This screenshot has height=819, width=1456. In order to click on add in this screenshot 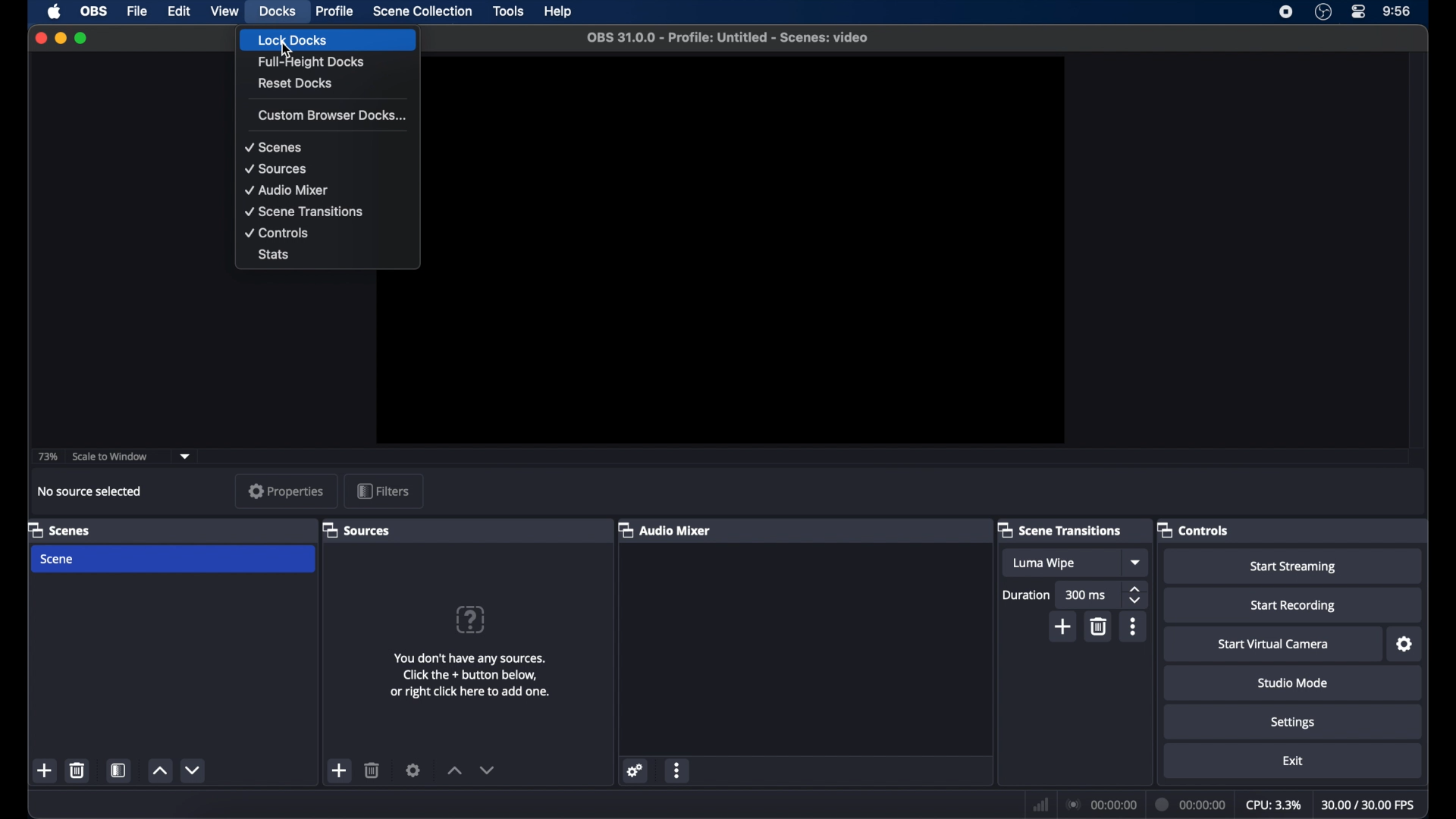, I will do `click(340, 770)`.